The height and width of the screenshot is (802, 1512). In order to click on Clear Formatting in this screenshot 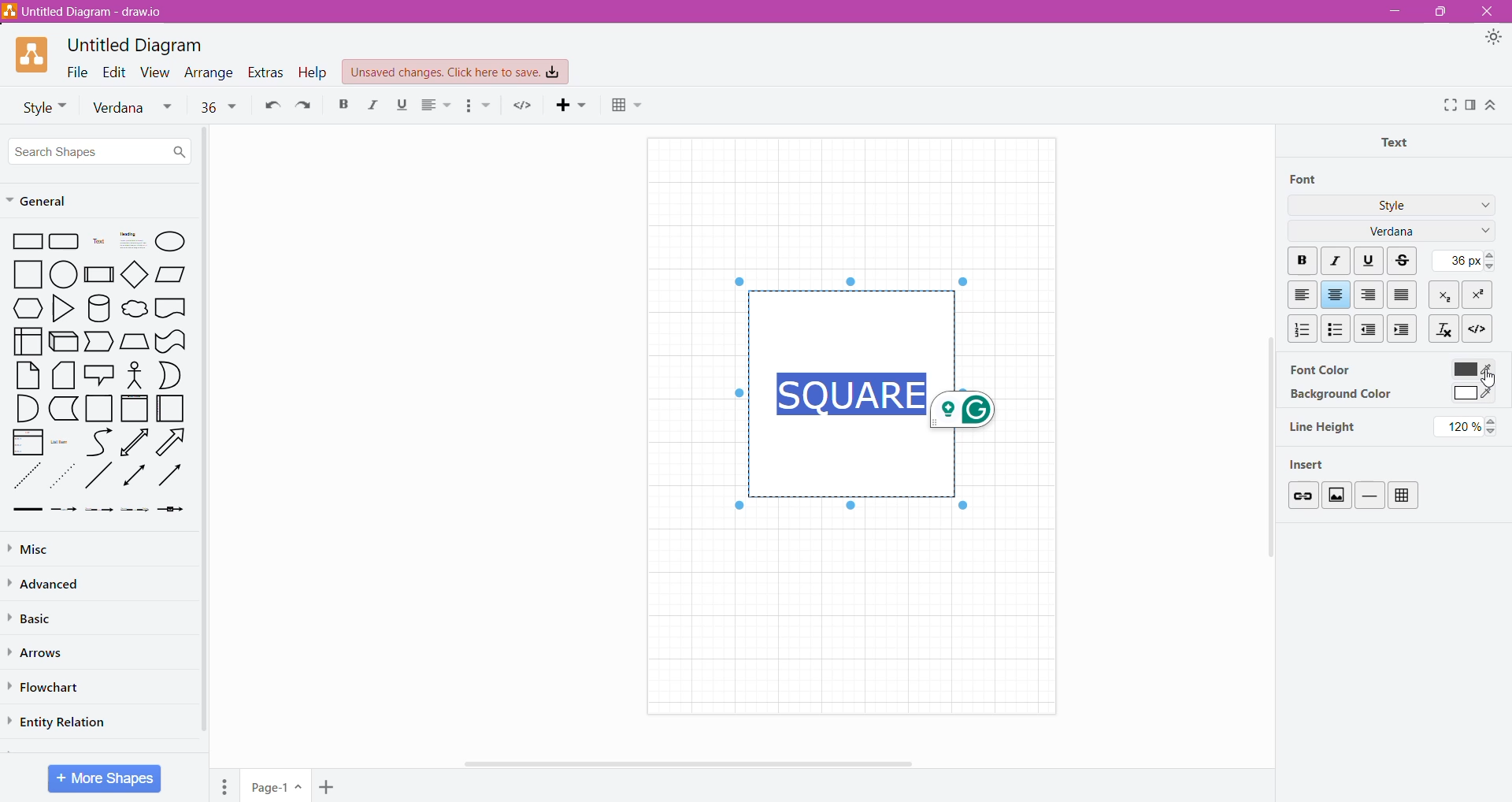, I will do `click(1443, 328)`.